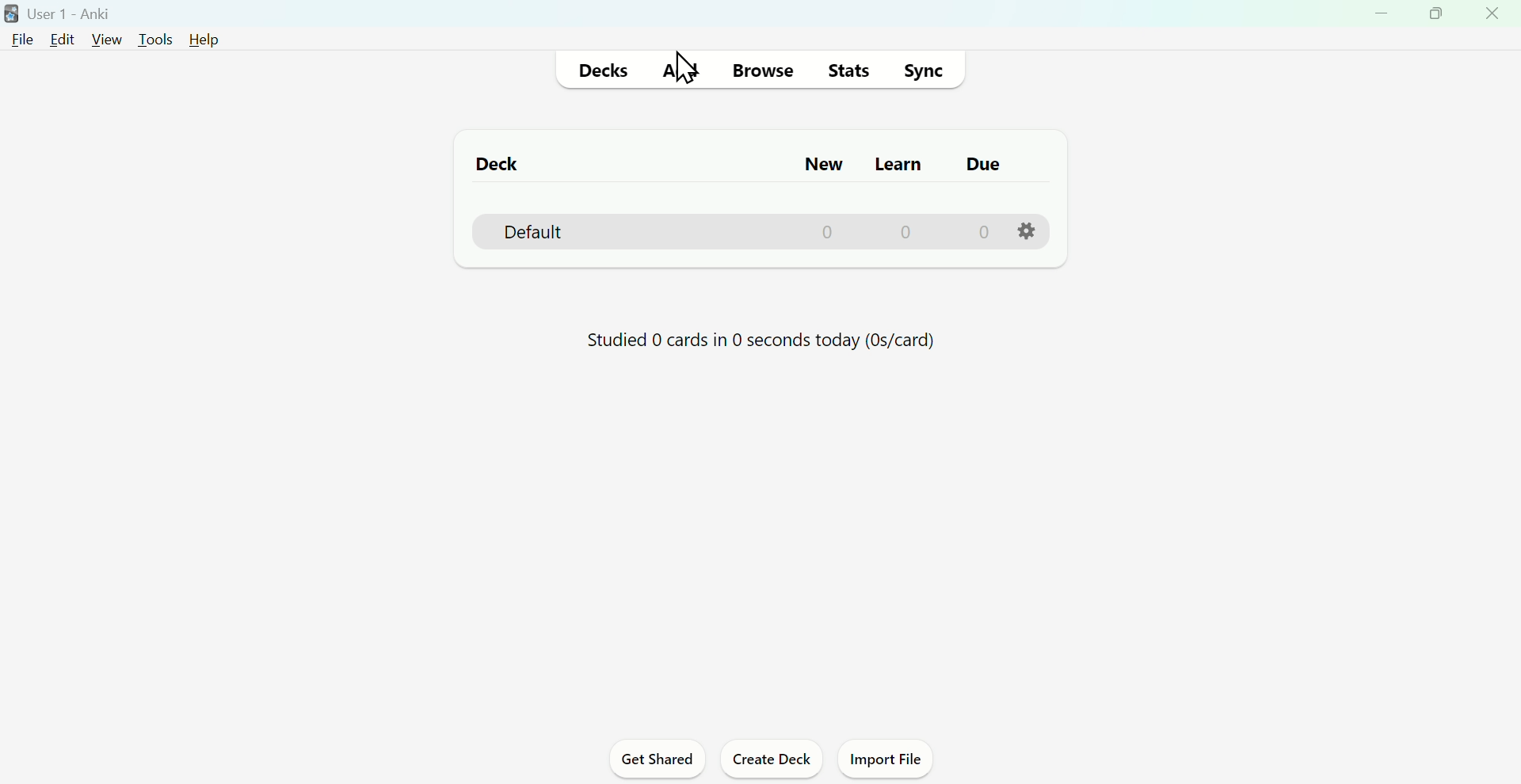 The height and width of the screenshot is (784, 1521). Describe the element at coordinates (107, 40) in the screenshot. I see `View` at that location.